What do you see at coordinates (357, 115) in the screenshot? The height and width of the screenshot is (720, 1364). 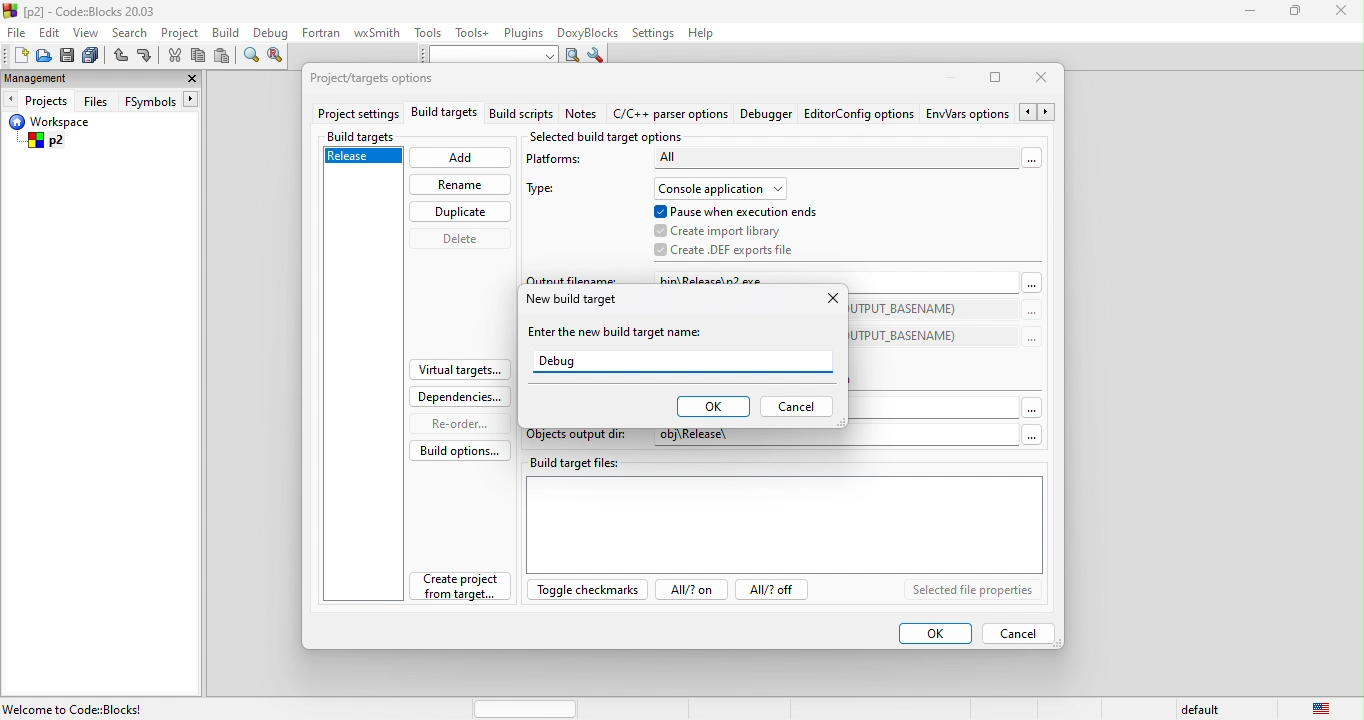 I see `project settings` at bounding box center [357, 115].